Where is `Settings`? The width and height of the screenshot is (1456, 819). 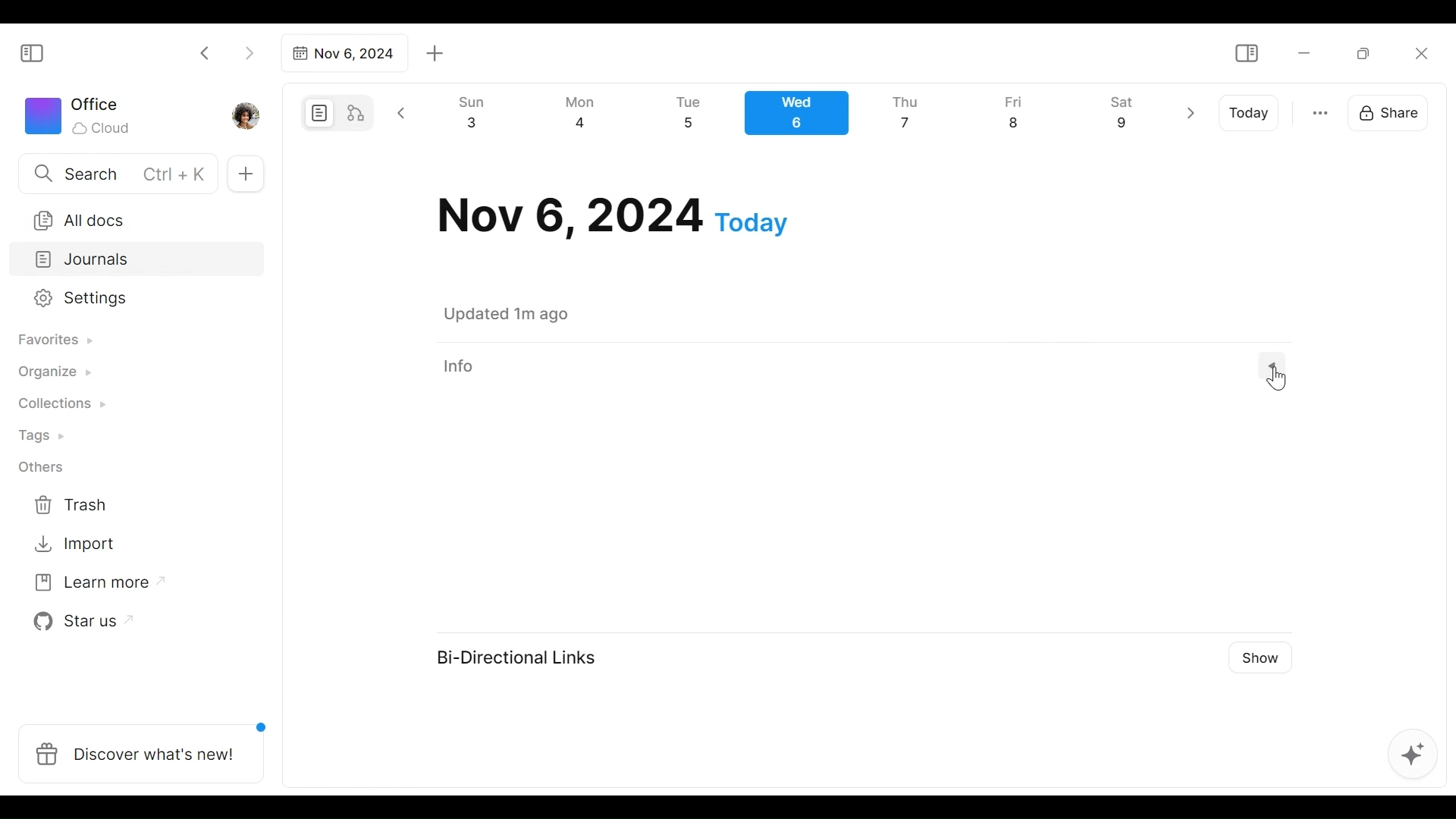 Settings is located at coordinates (125, 299).